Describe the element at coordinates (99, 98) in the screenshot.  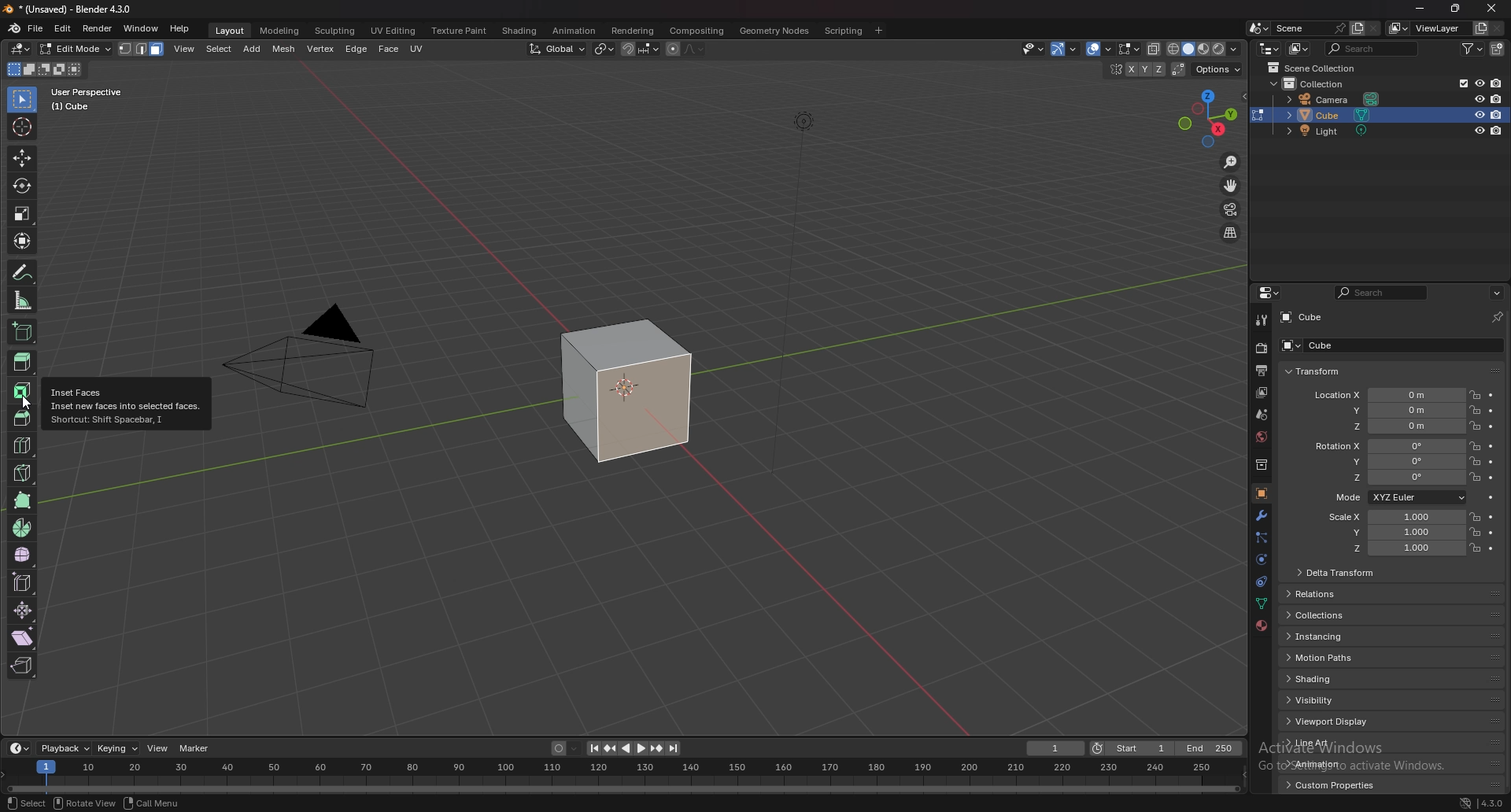
I see `info` at that location.